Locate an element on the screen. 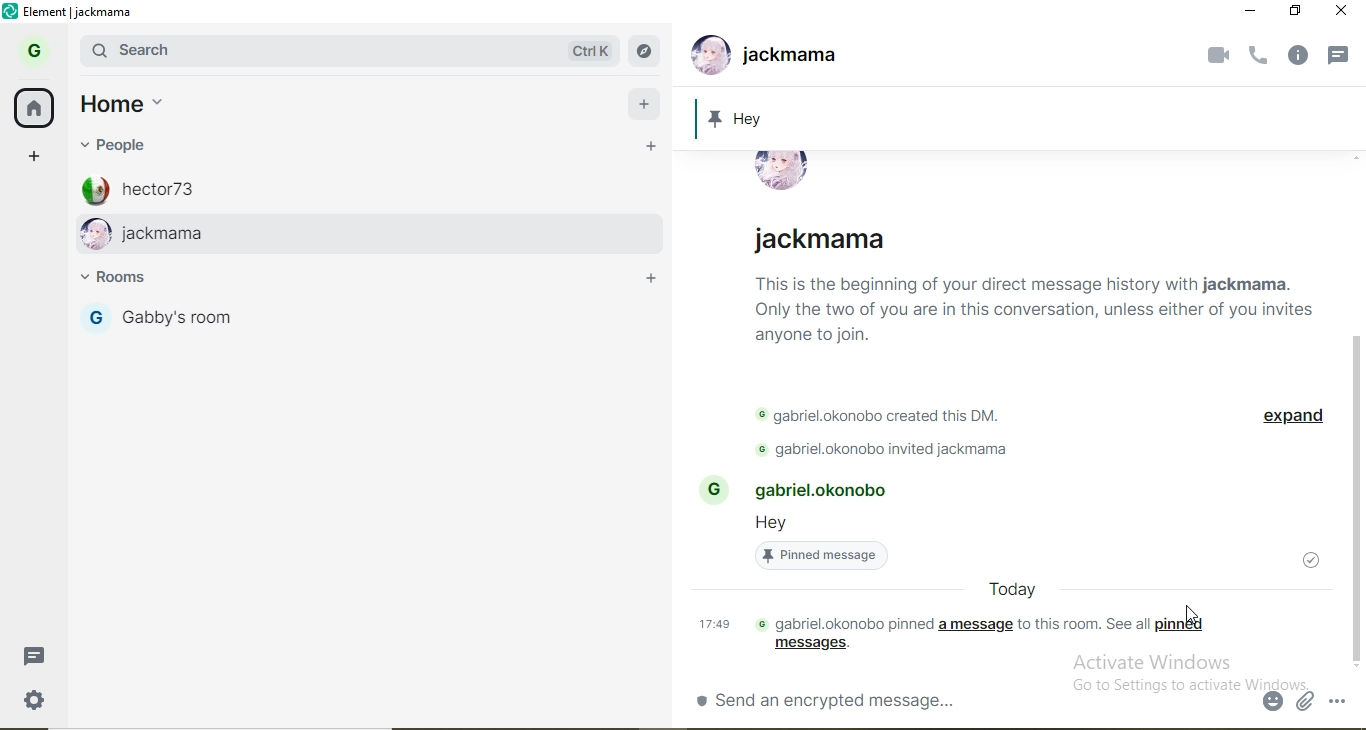 Image resolution: width=1366 pixels, height=730 pixels. profile image is located at coordinates (94, 188).